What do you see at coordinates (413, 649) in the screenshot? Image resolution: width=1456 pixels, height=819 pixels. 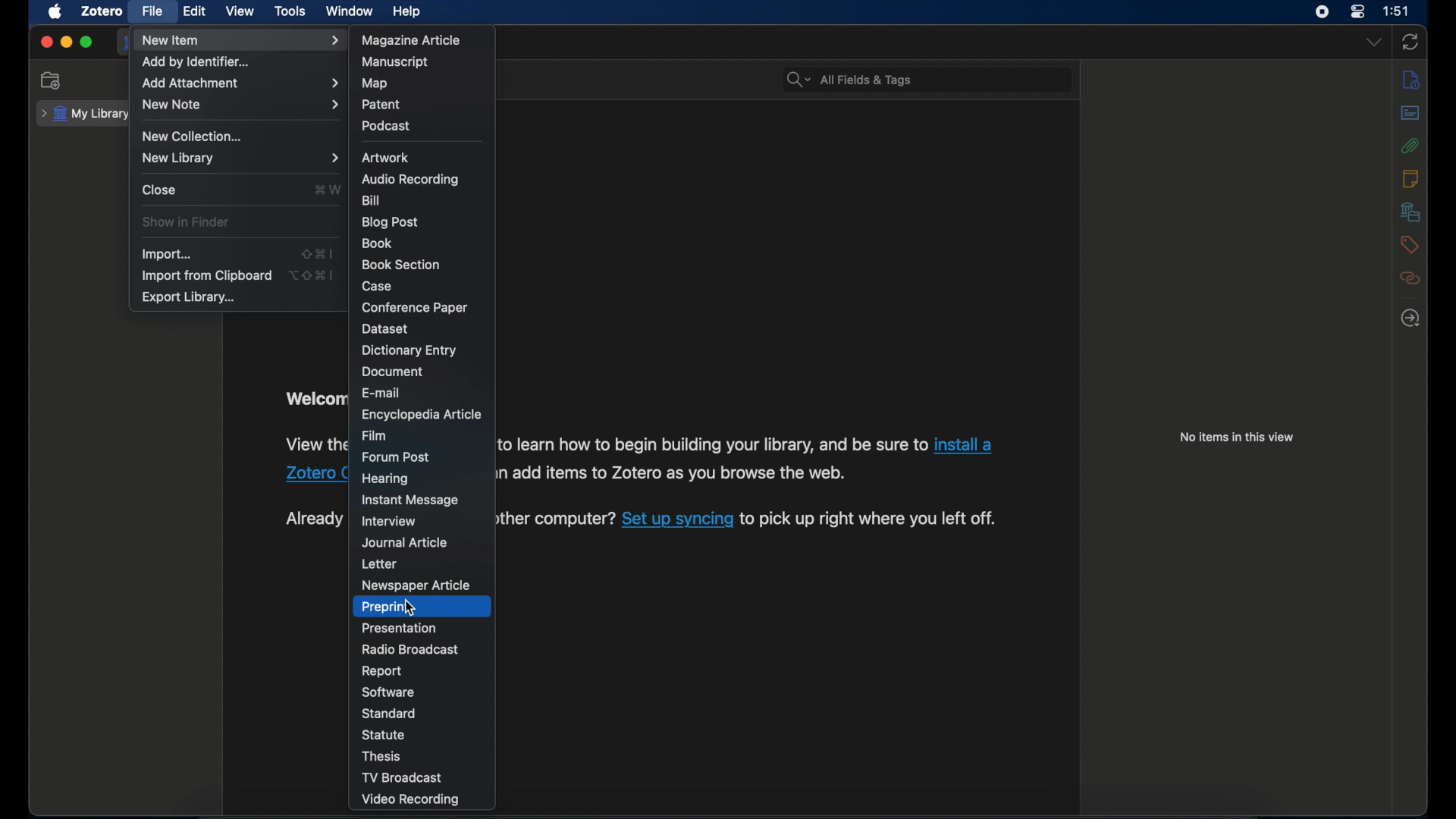 I see `radio broadcast` at bounding box center [413, 649].